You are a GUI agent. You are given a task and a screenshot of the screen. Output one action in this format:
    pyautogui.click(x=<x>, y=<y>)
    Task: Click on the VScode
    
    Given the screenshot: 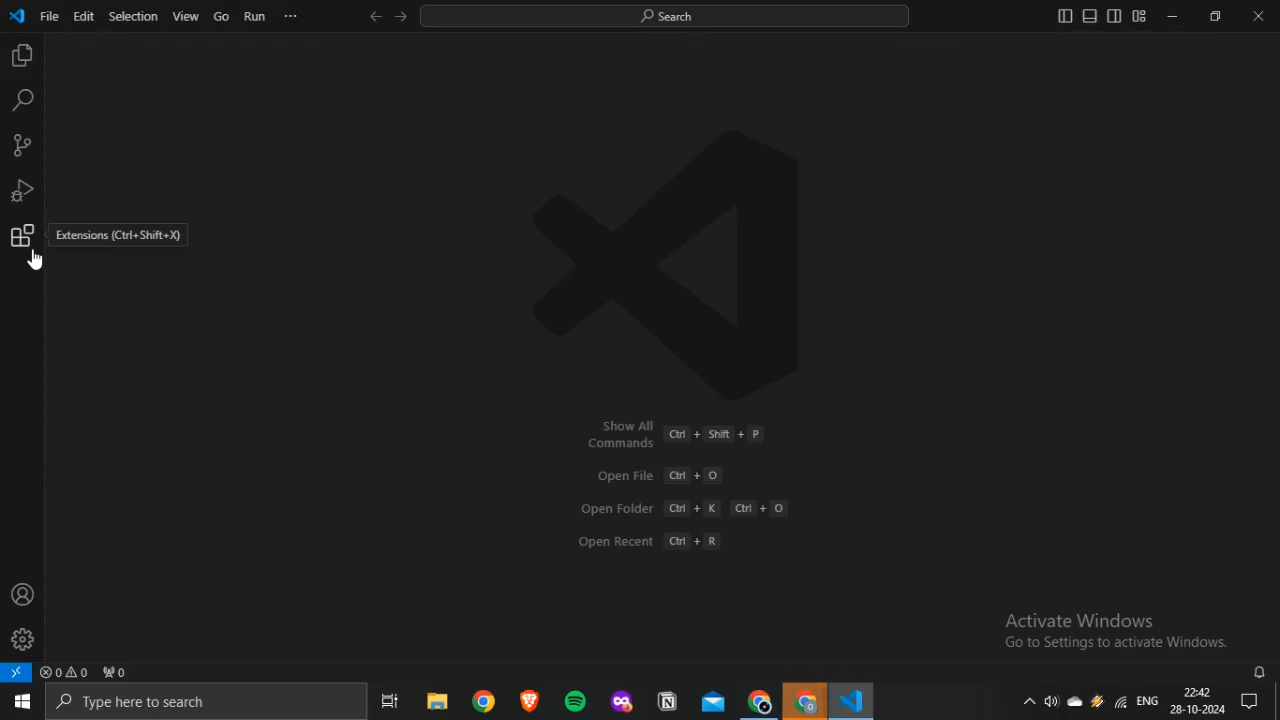 What is the action you would take?
    pyautogui.click(x=850, y=700)
    